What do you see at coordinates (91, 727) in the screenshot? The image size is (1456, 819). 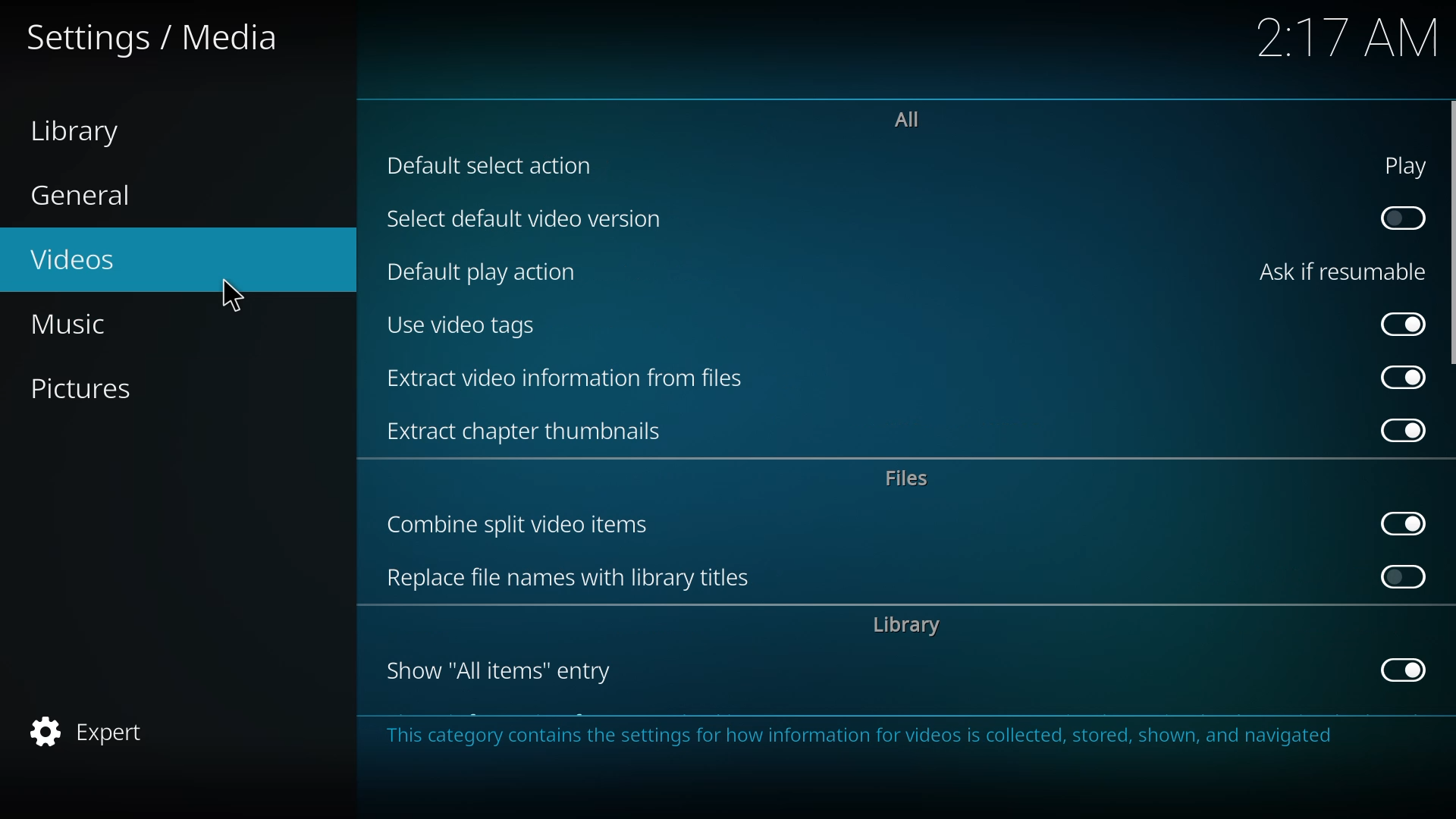 I see `expert` at bounding box center [91, 727].